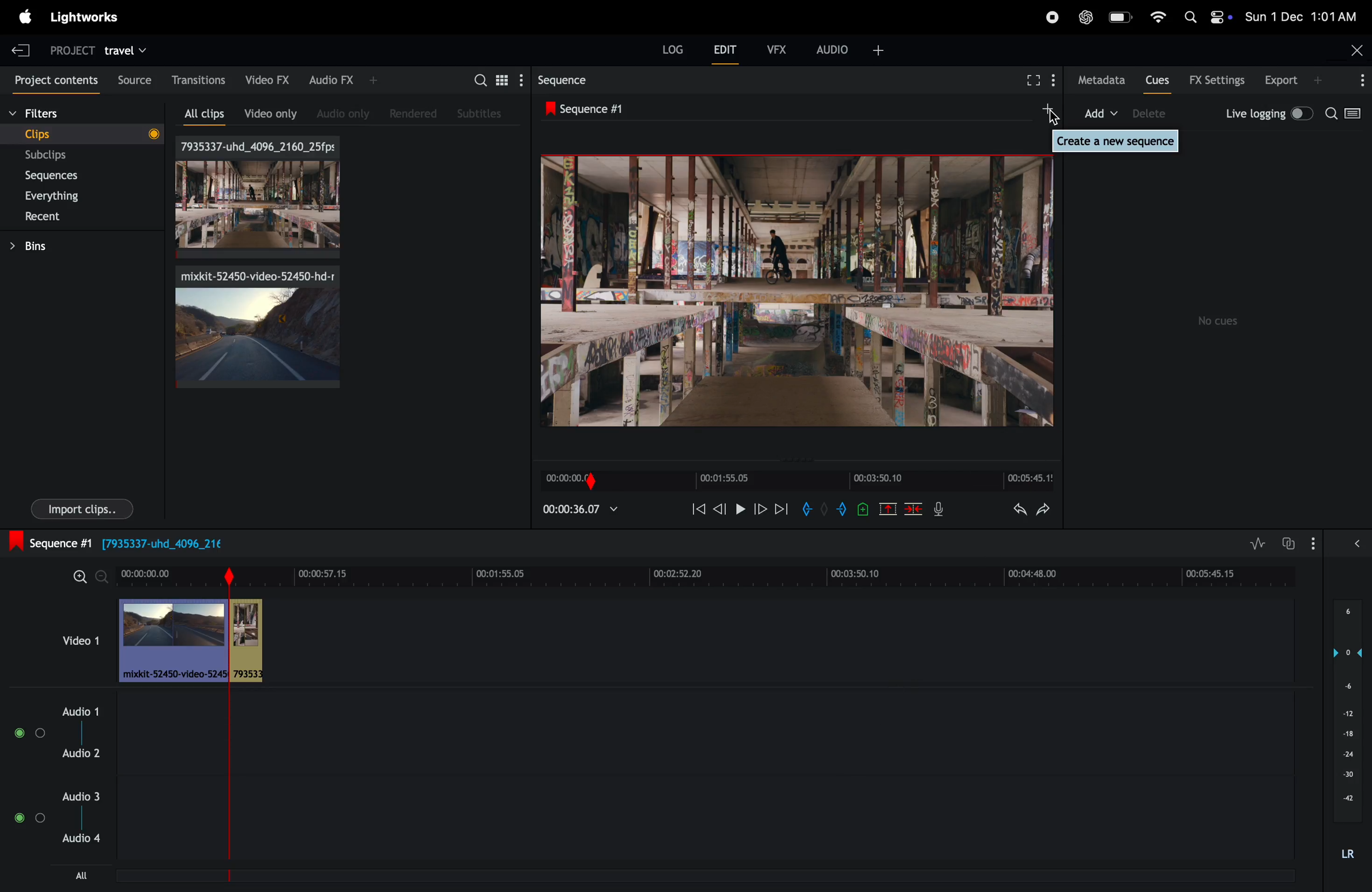 The height and width of the screenshot is (892, 1372). I want to click on apple menu, so click(25, 17).